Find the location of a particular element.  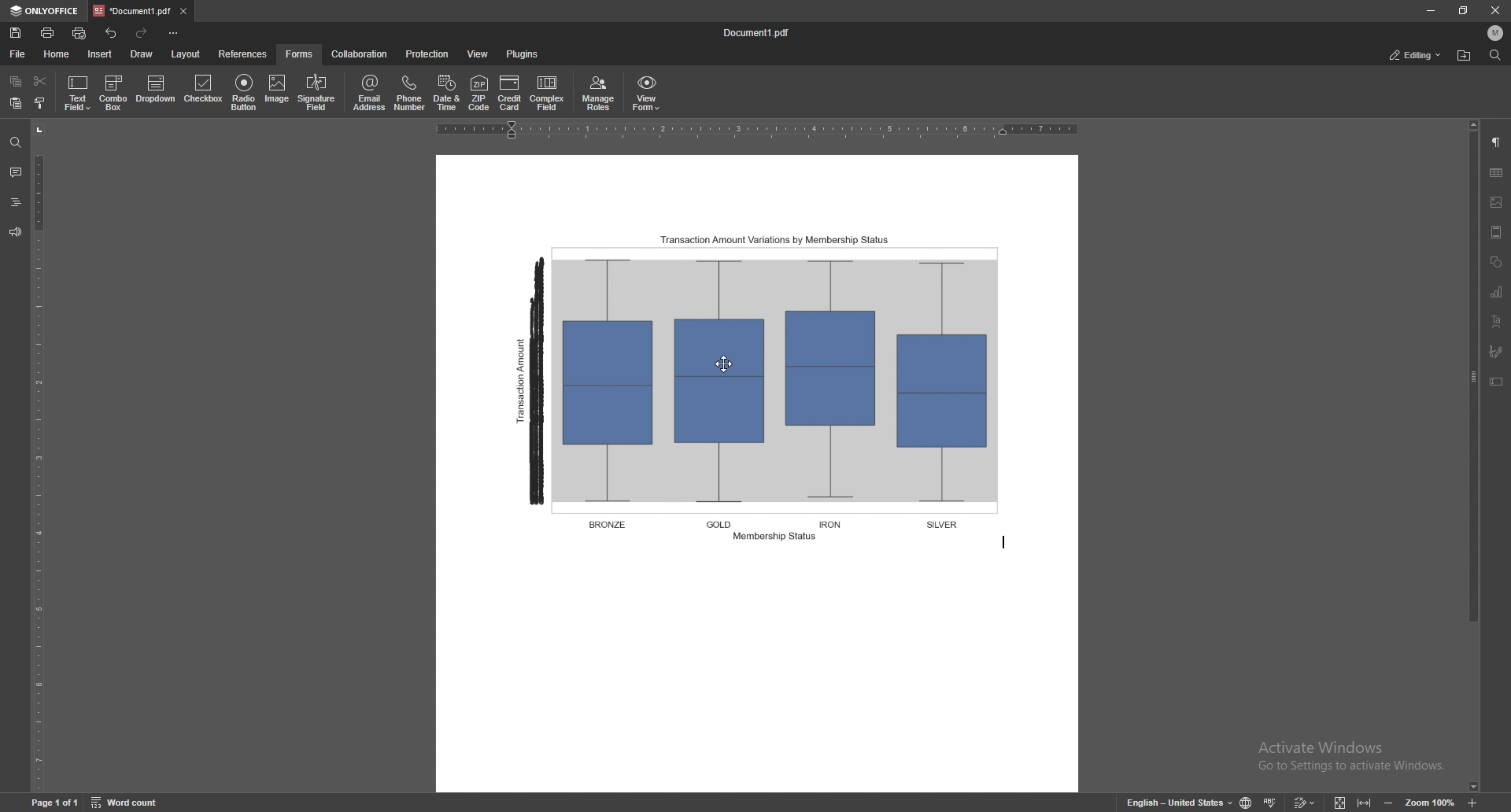

customize toolbar is located at coordinates (172, 33).